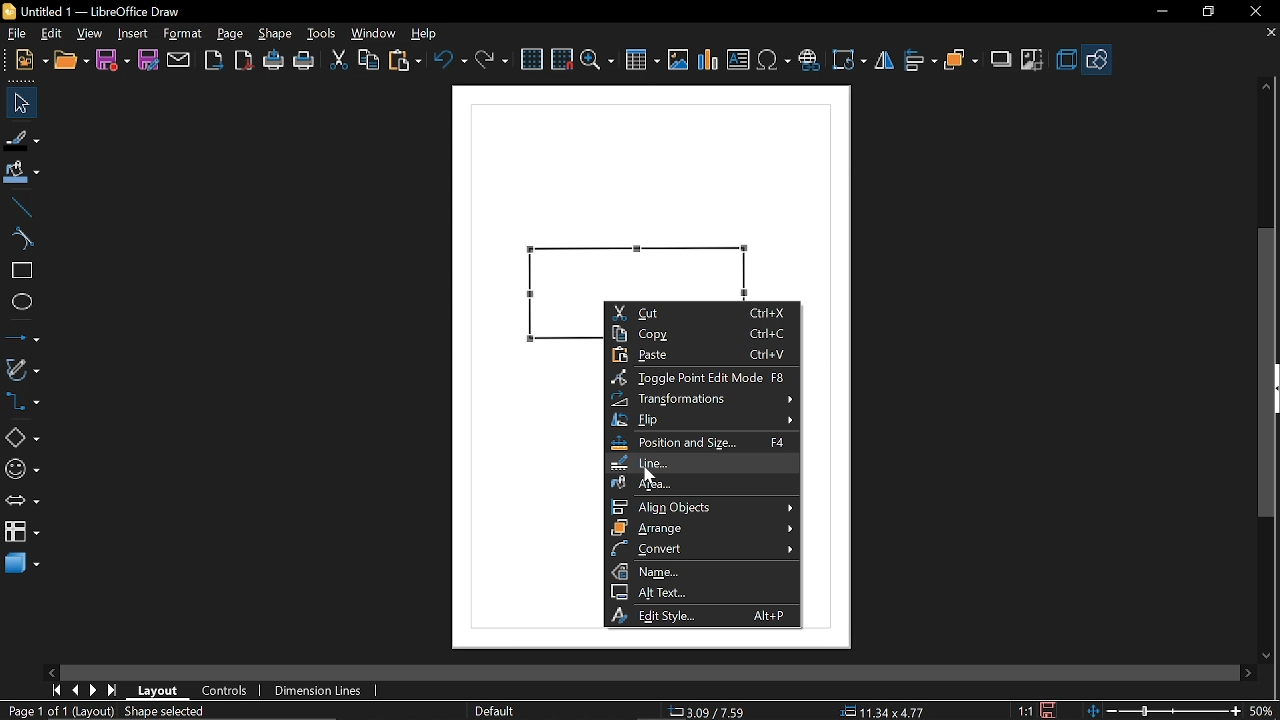  Describe the element at coordinates (1096, 58) in the screenshot. I see `shapes` at that location.